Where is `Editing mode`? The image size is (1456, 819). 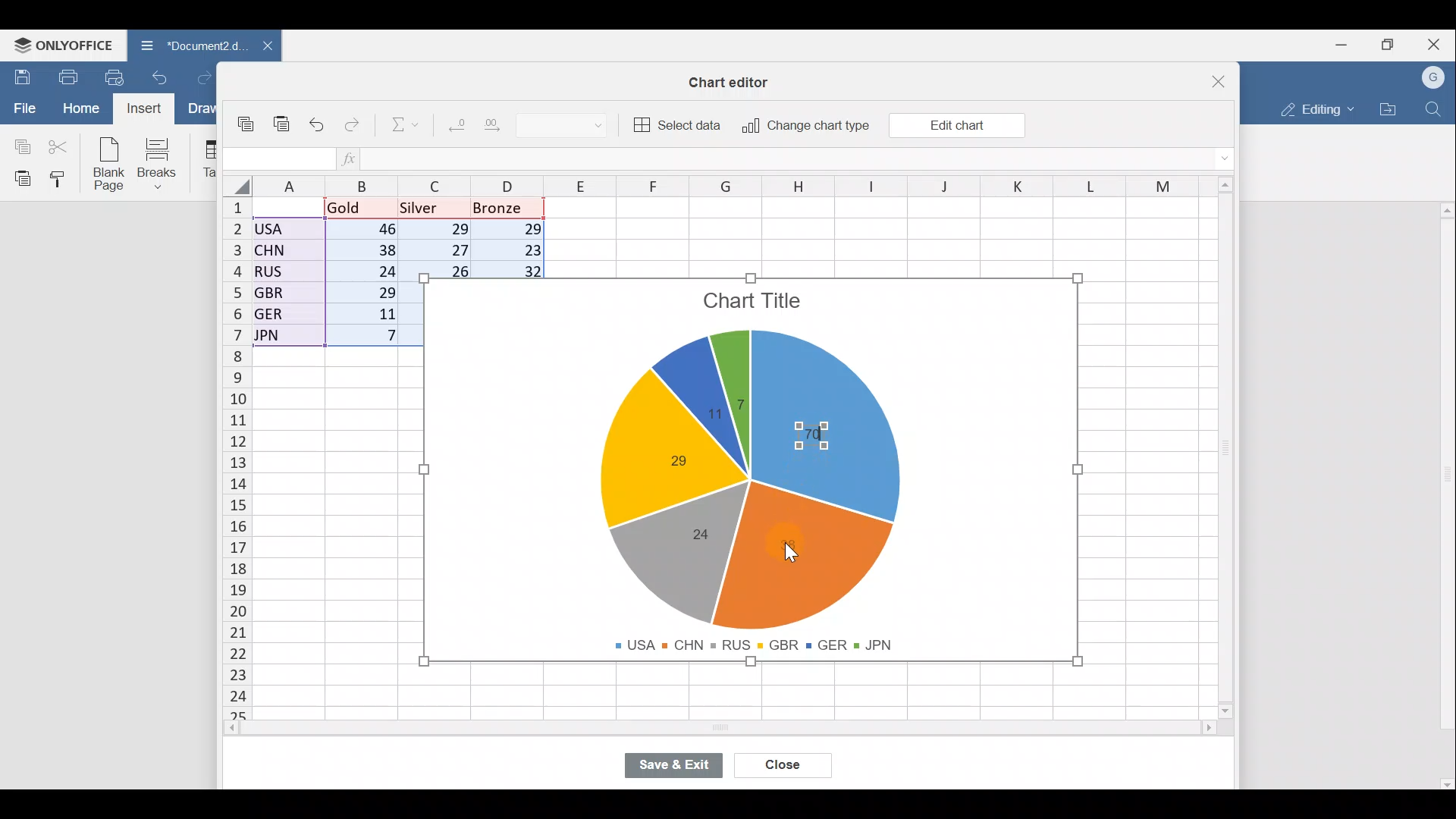 Editing mode is located at coordinates (1316, 106).